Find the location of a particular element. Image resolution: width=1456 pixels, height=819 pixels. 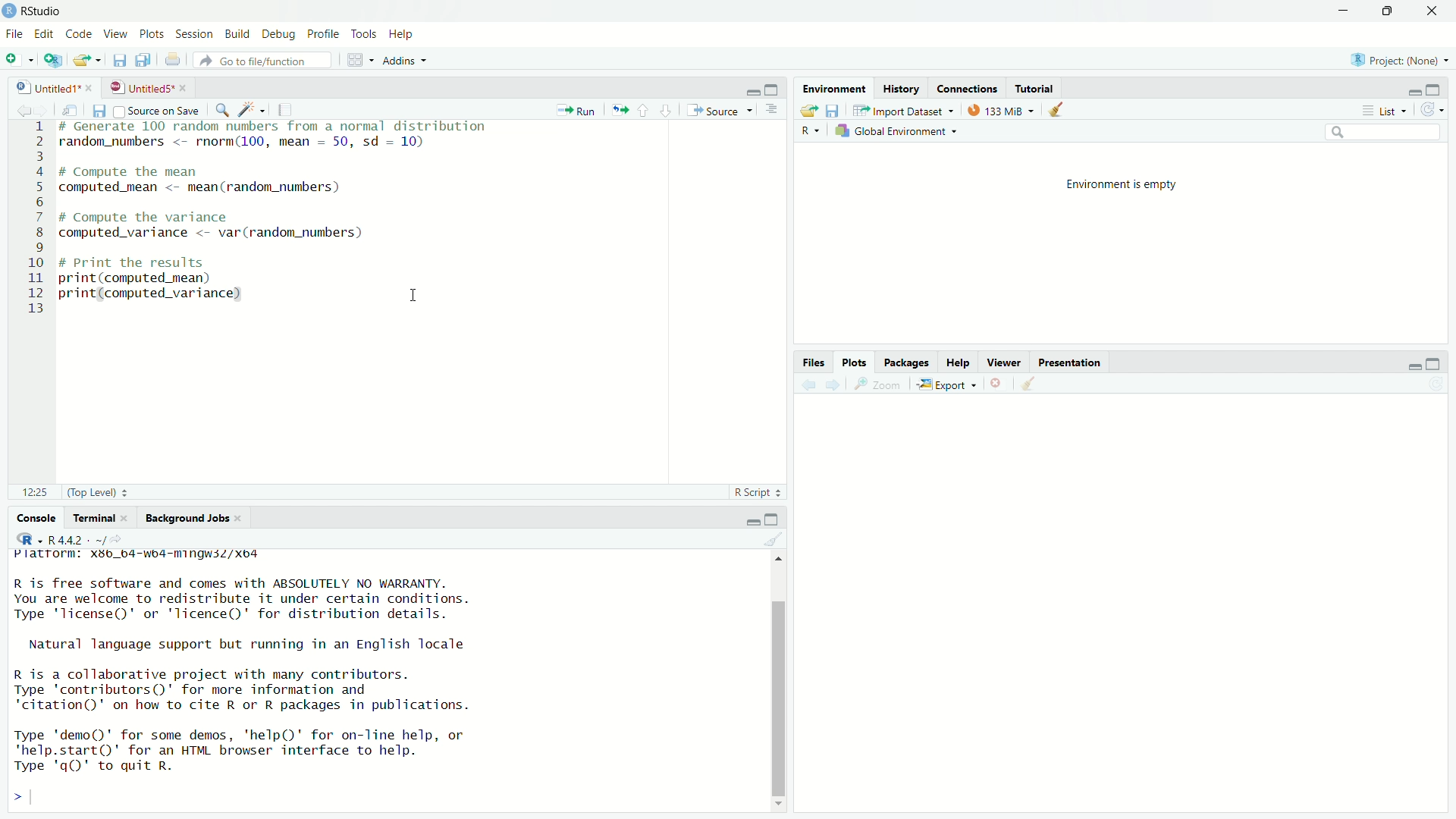

typing cursor is located at coordinates (39, 797).